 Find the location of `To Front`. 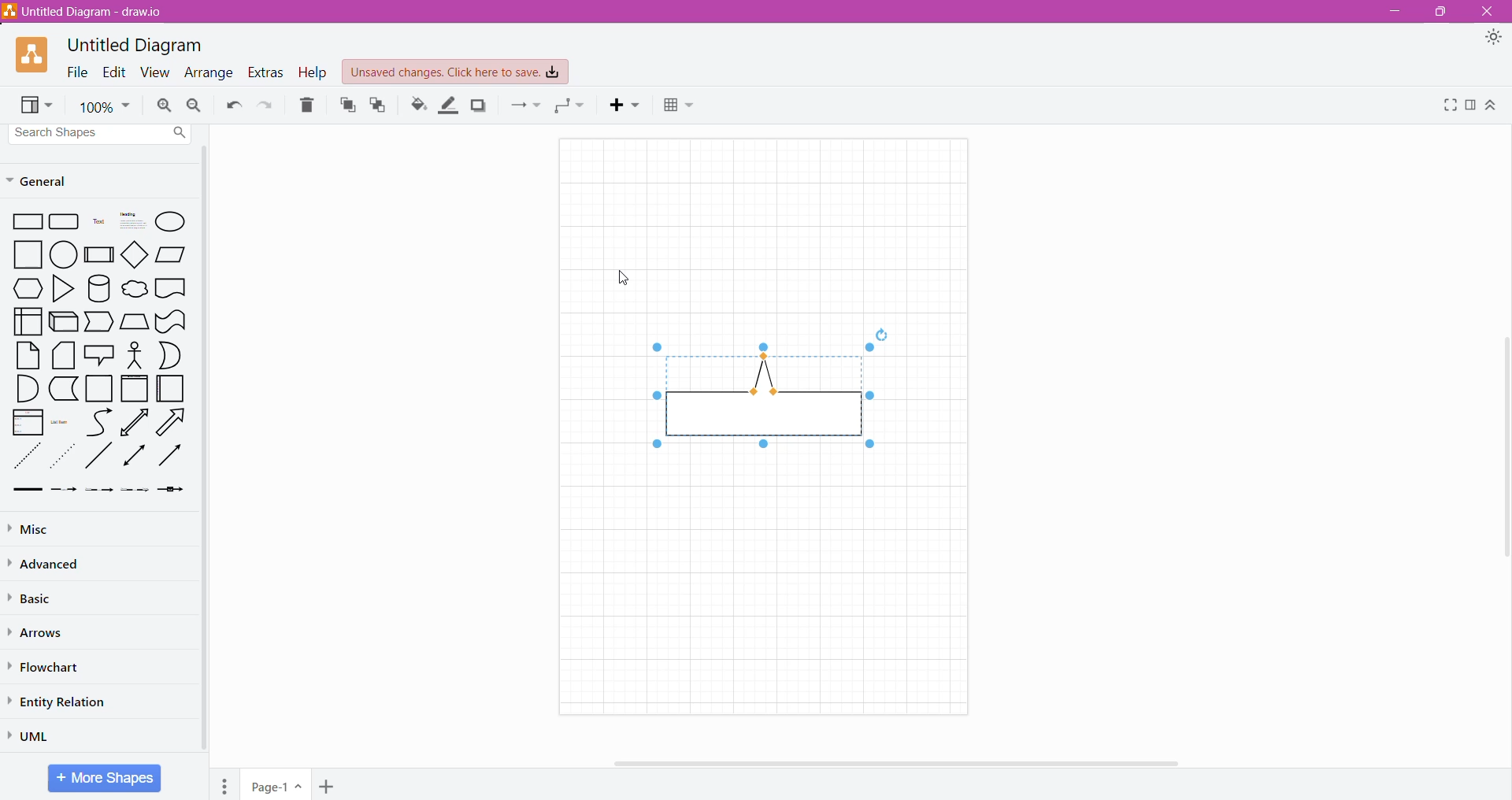

To Front is located at coordinates (346, 105).